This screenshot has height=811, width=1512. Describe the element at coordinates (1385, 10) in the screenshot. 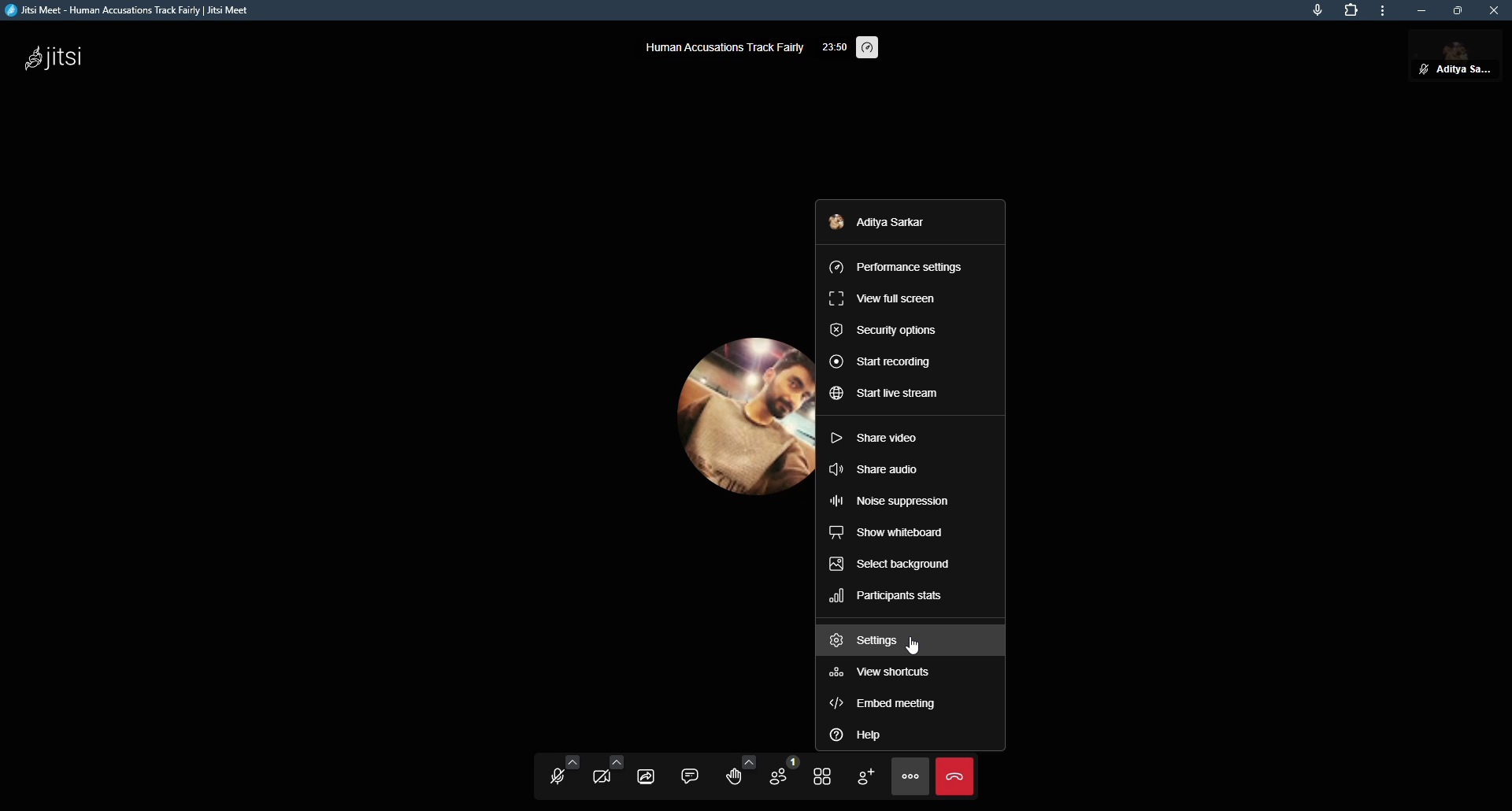

I see `more` at that location.